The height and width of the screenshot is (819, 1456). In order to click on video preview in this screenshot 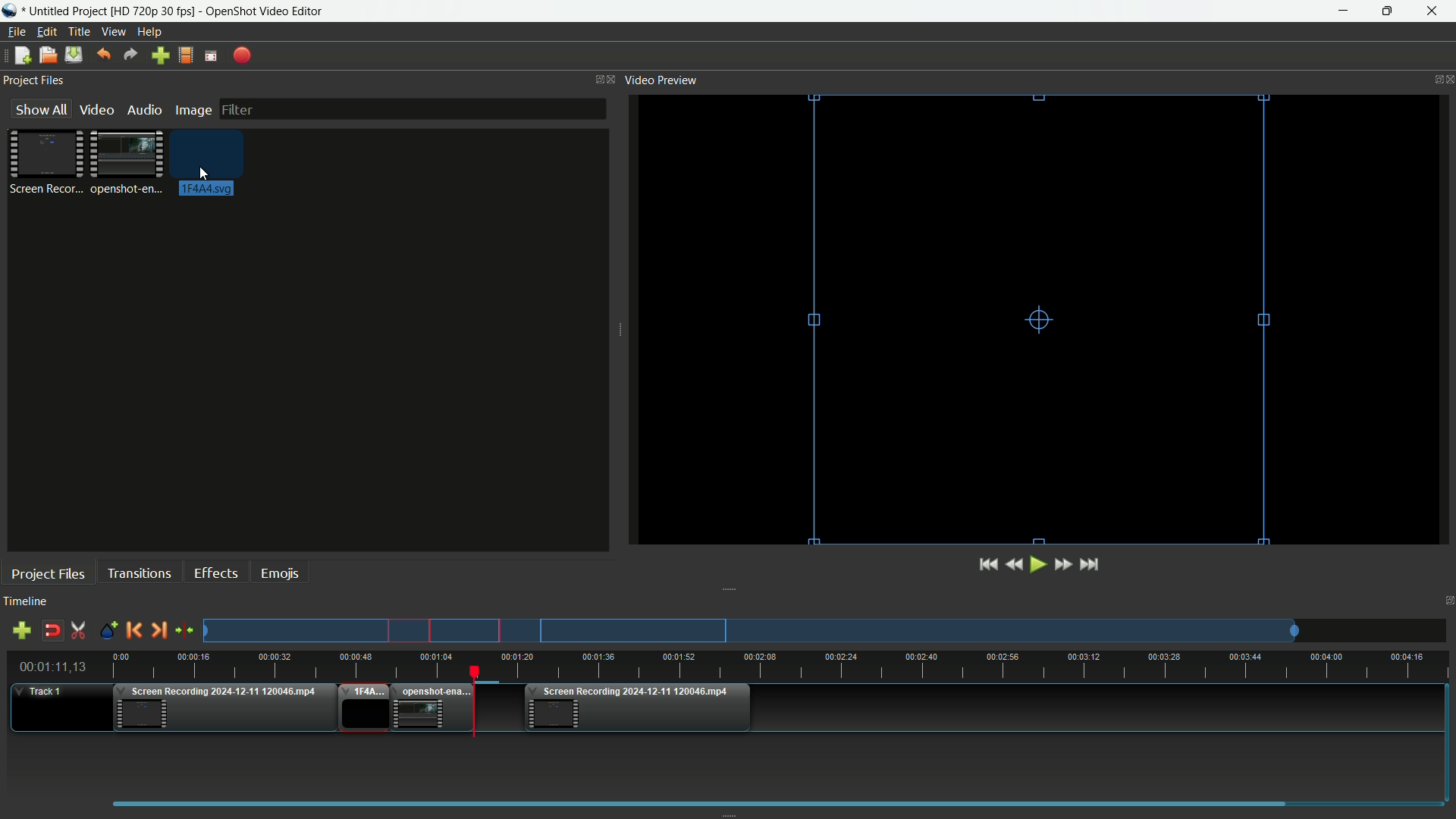, I will do `click(1043, 318)`.